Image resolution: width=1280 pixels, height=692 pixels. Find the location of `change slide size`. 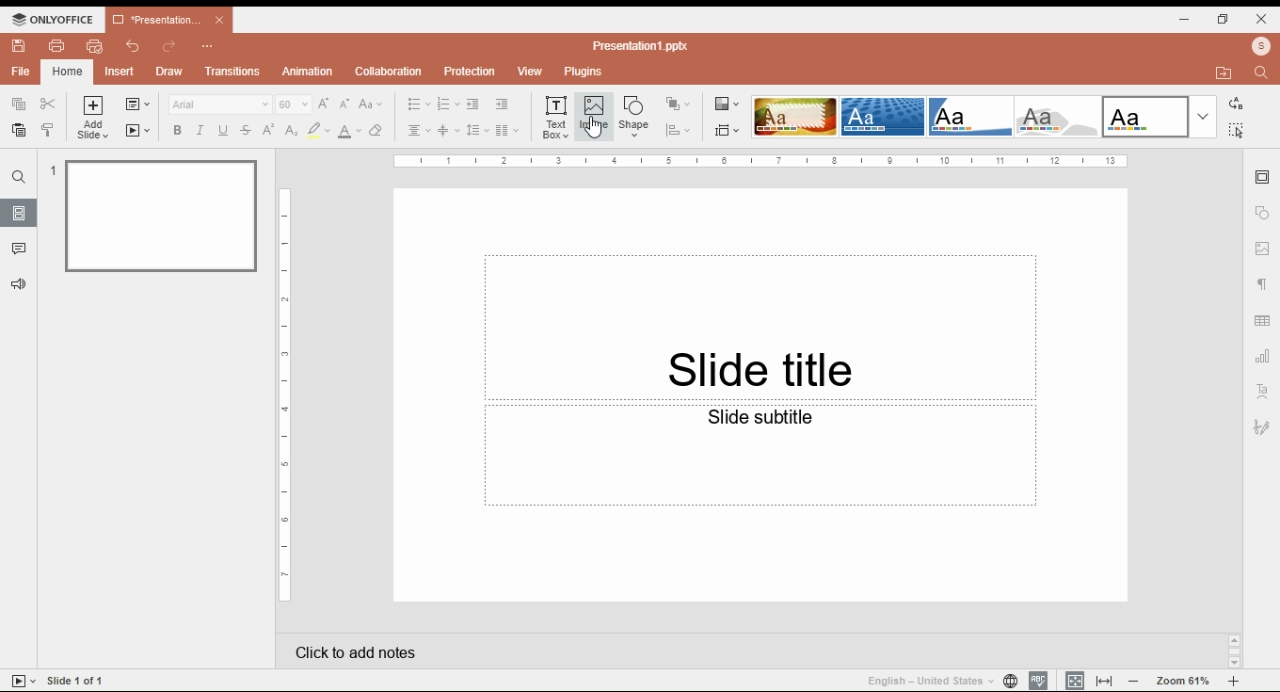

change slide size is located at coordinates (725, 130).